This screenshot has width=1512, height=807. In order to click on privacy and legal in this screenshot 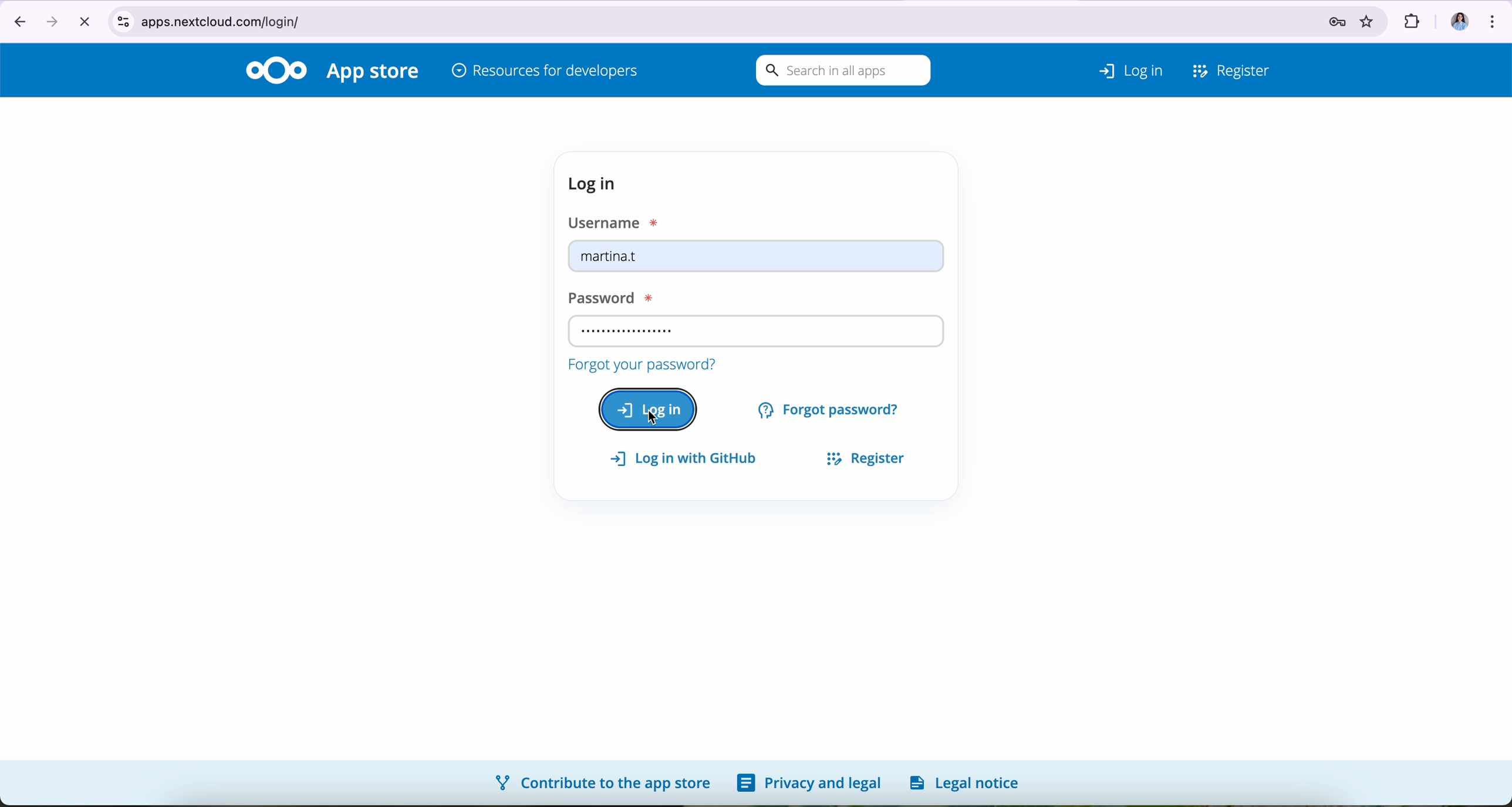, I will do `click(809, 784)`.